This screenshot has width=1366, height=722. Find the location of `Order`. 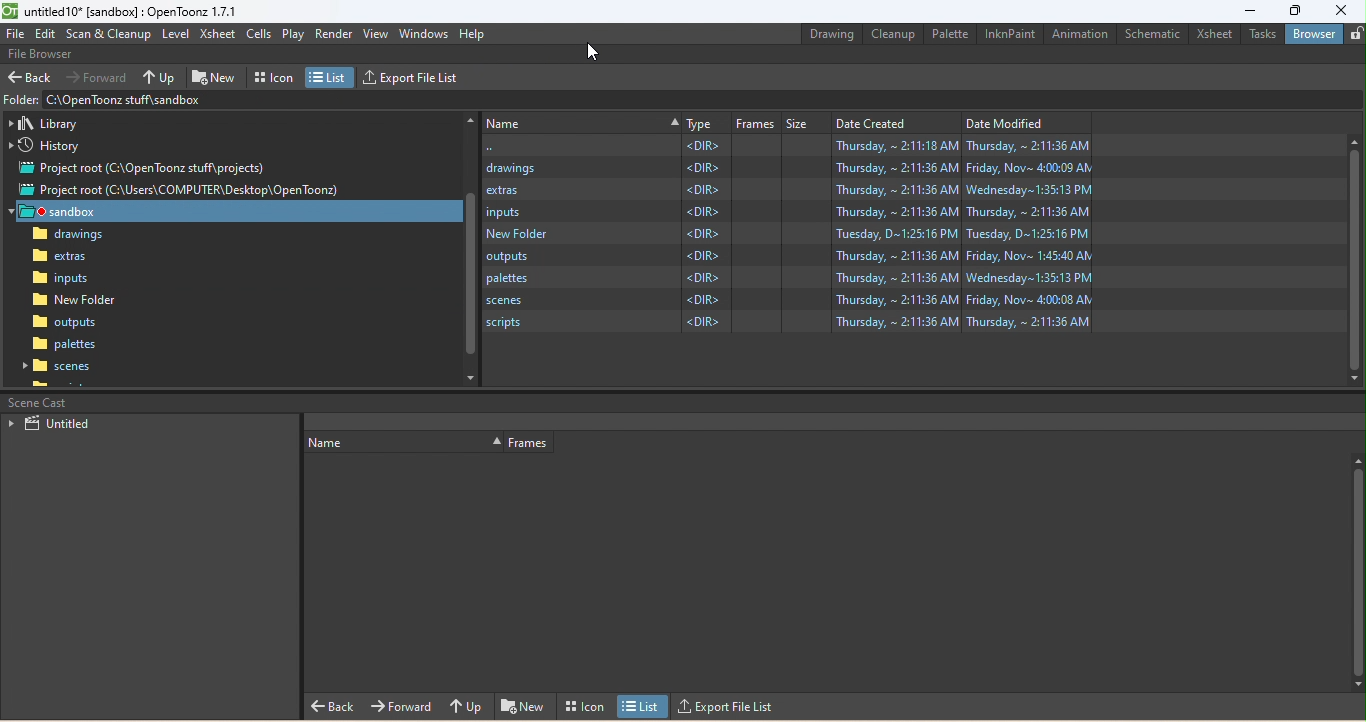

Order is located at coordinates (403, 441).